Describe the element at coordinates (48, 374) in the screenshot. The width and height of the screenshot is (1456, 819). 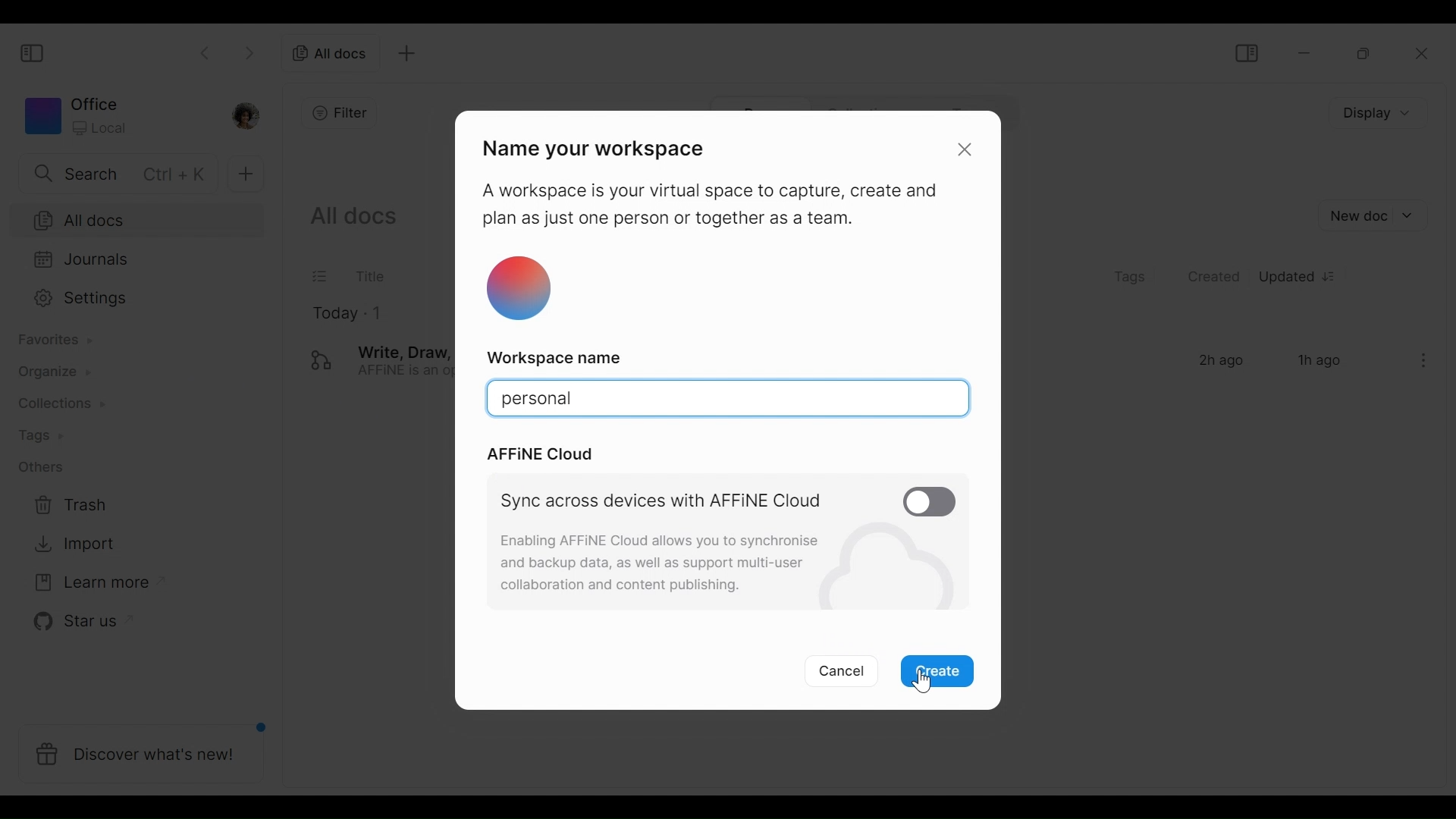
I see `Organize` at that location.